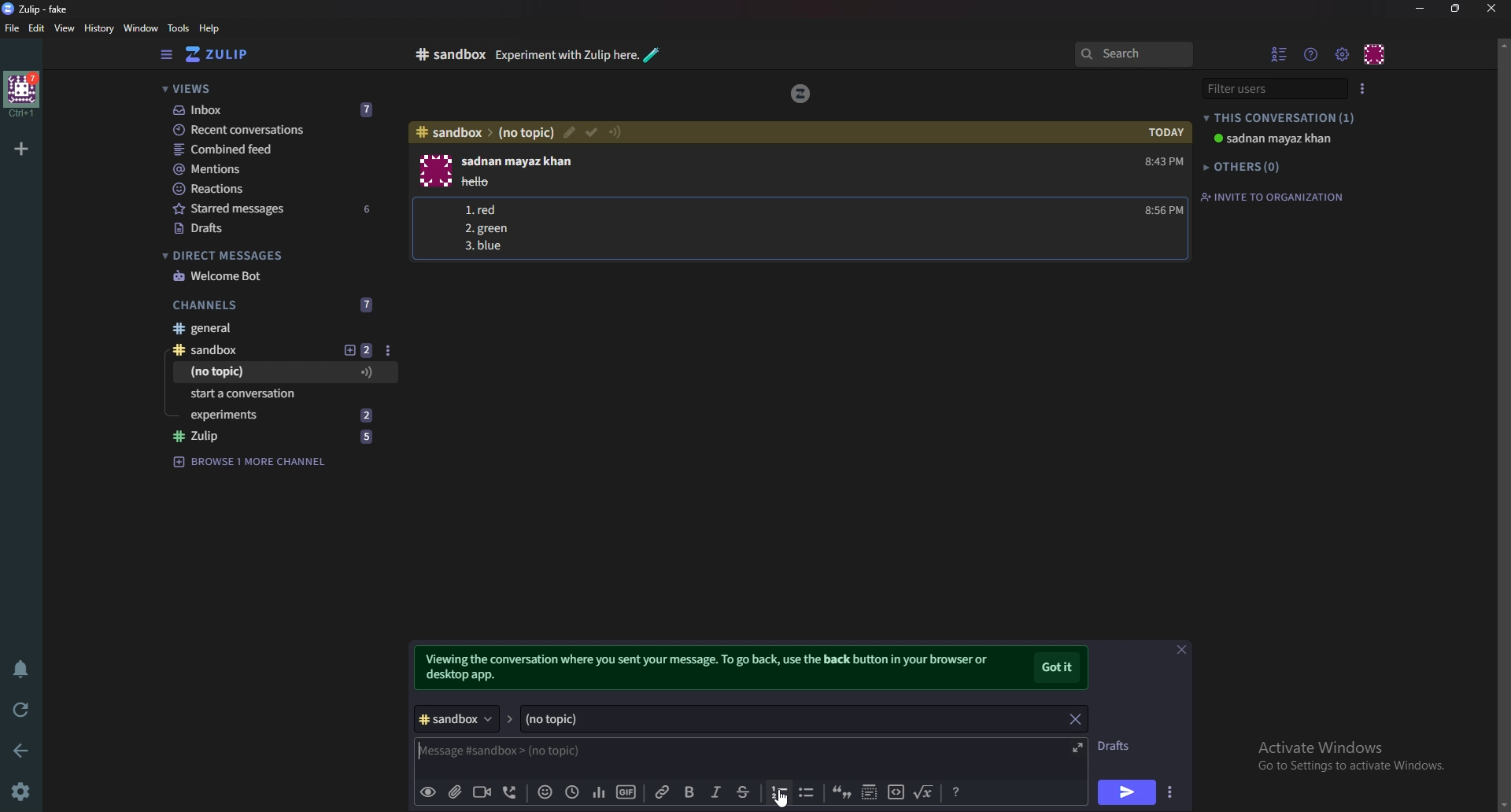  Describe the element at coordinates (275, 394) in the screenshot. I see `Start a conversation` at that location.